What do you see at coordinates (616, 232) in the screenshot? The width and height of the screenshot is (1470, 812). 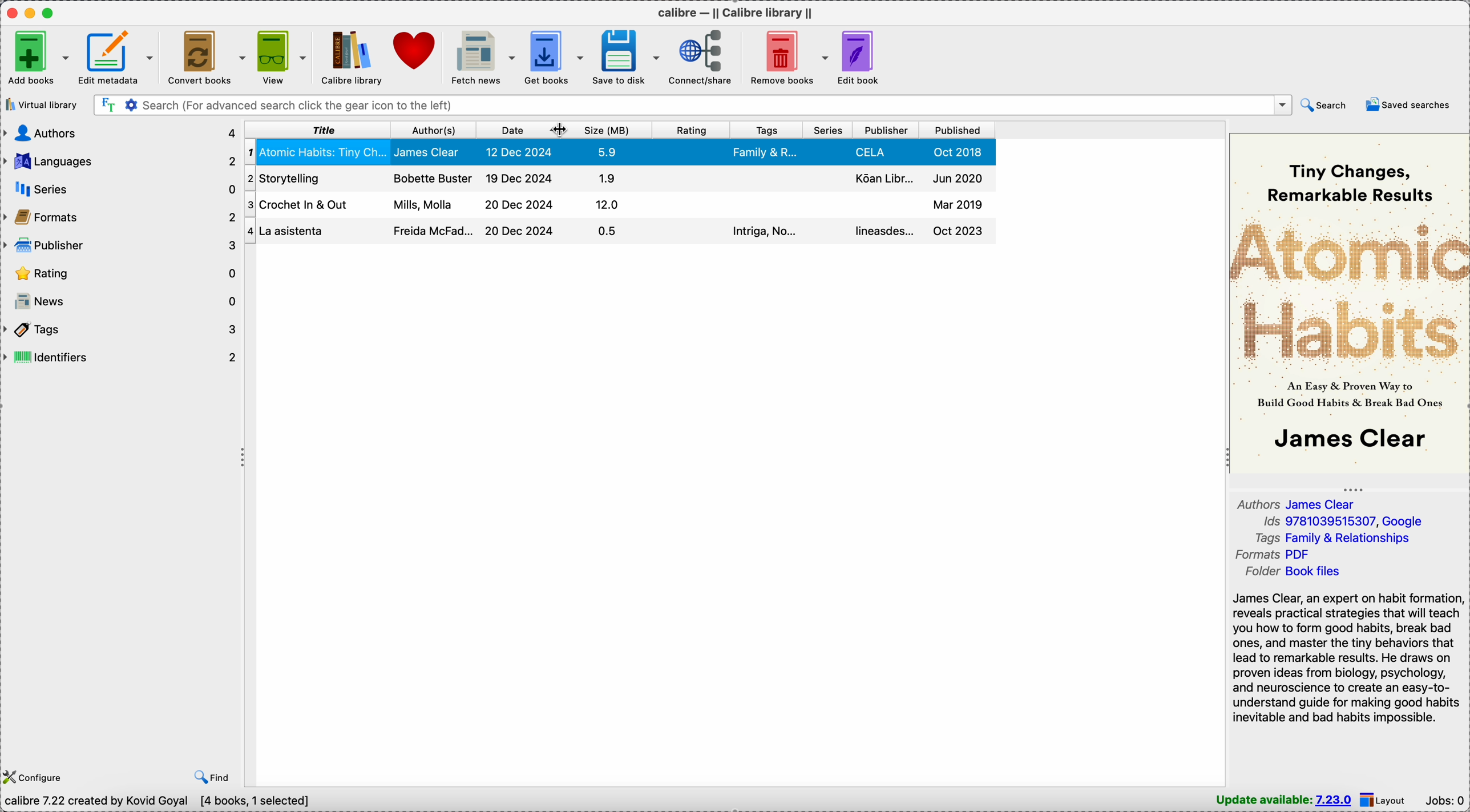 I see `storytellig book details` at bounding box center [616, 232].